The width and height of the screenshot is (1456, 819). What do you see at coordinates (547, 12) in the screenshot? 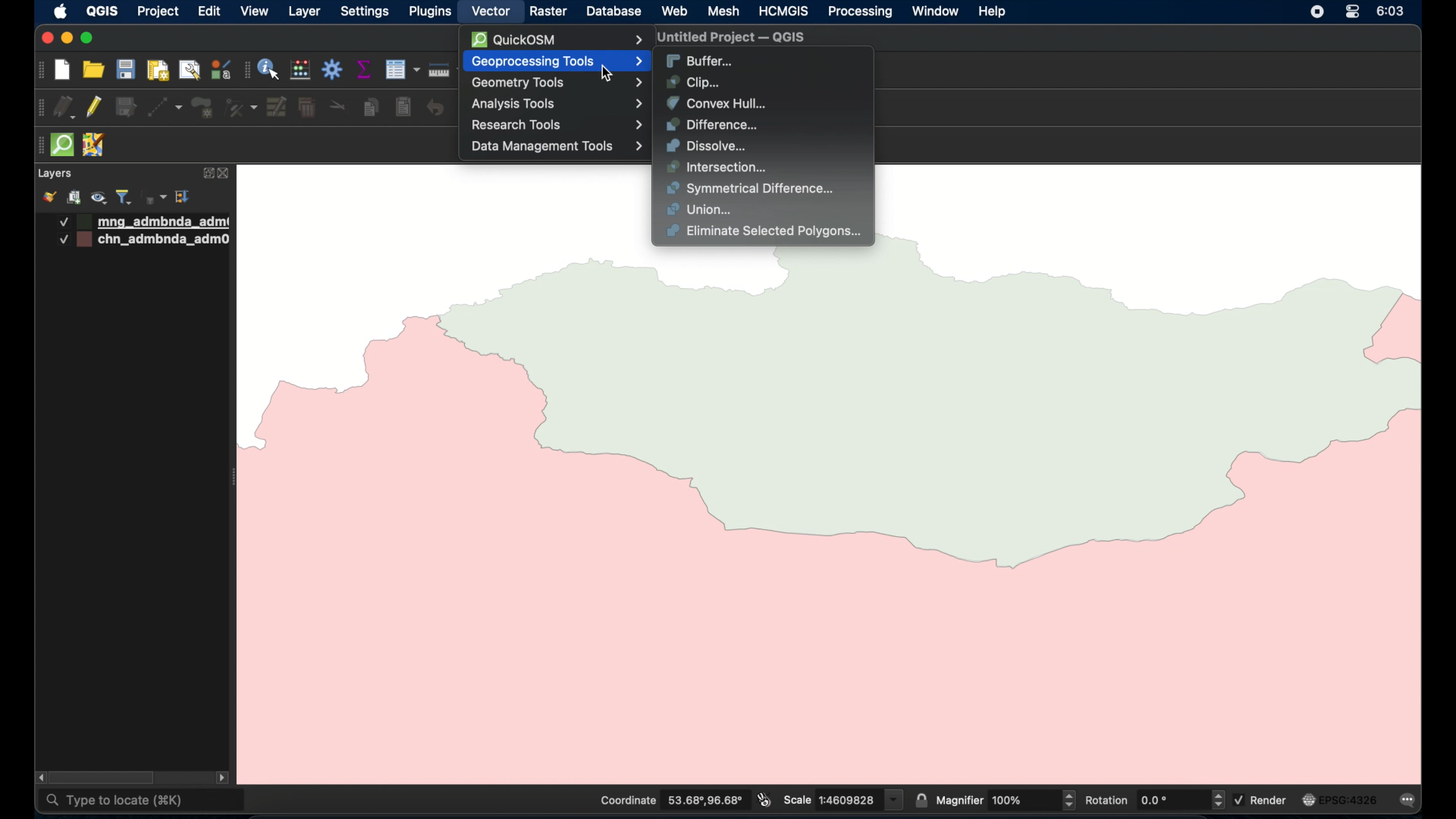
I see `raster` at bounding box center [547, 12].